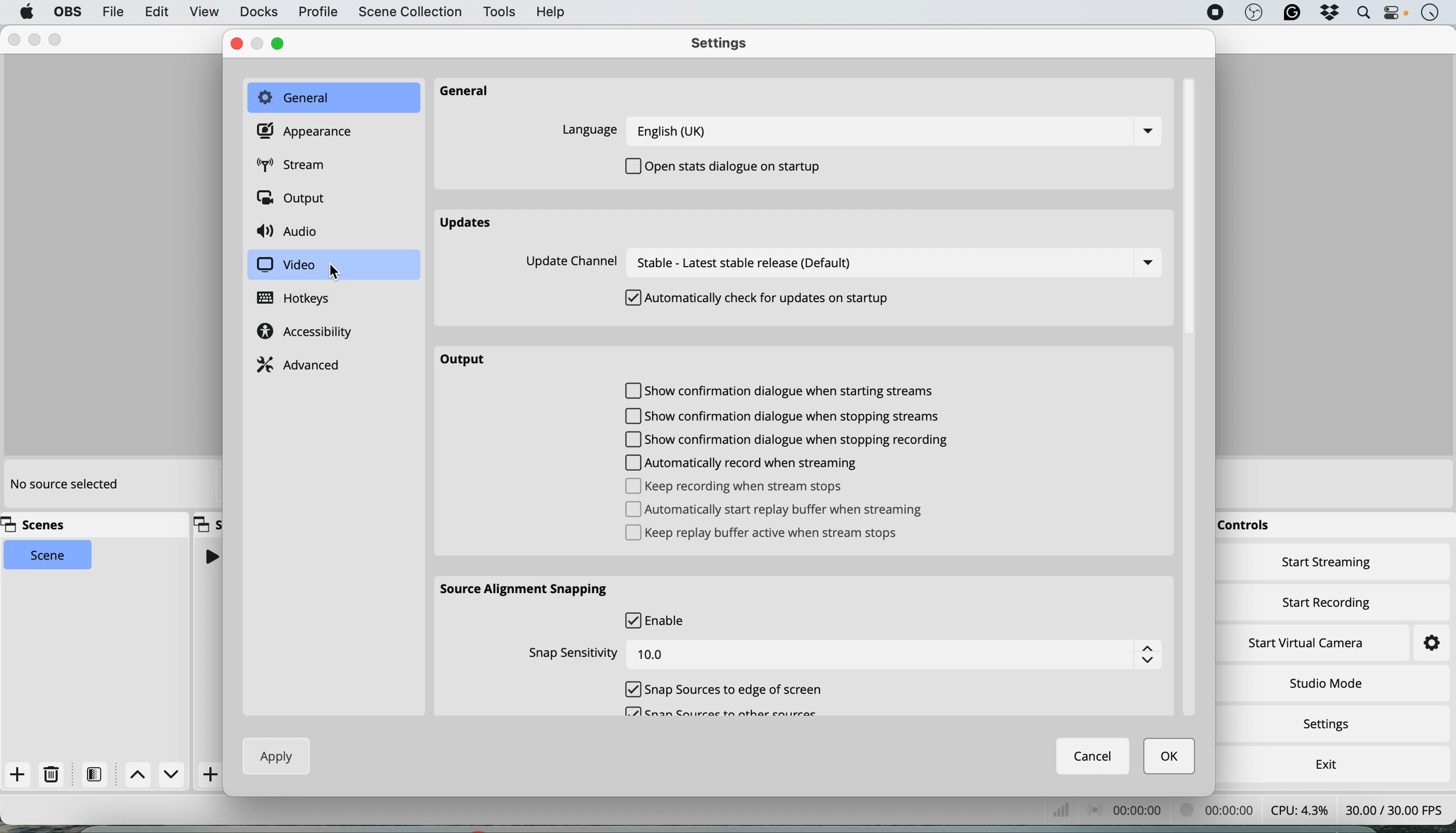 Image resolution: width=1456 pixels, height=833 pixels. I want to click on automatically start replay buffer when streaming, so click(781, 509).